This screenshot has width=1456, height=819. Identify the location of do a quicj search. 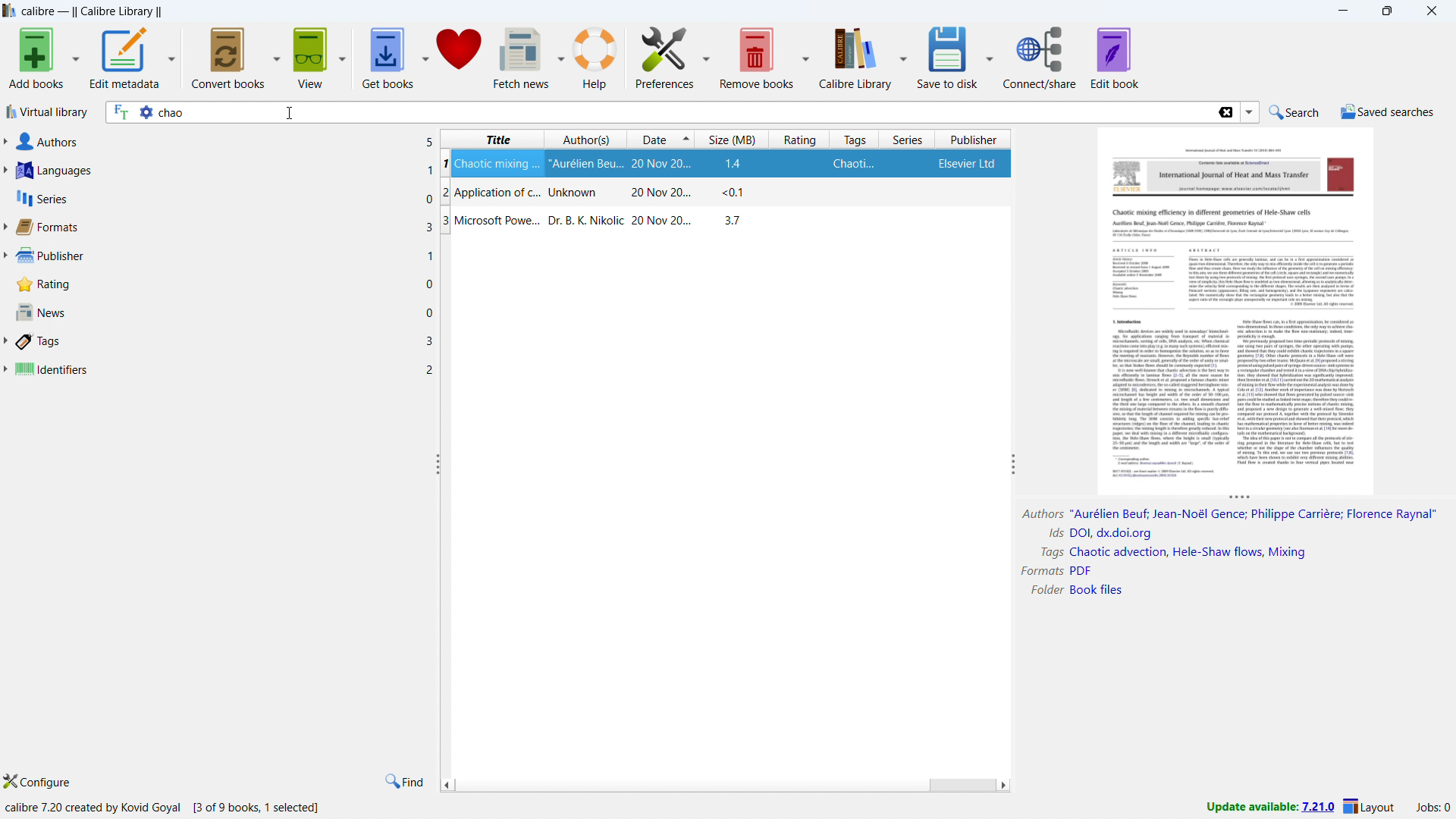
(1295, 111).